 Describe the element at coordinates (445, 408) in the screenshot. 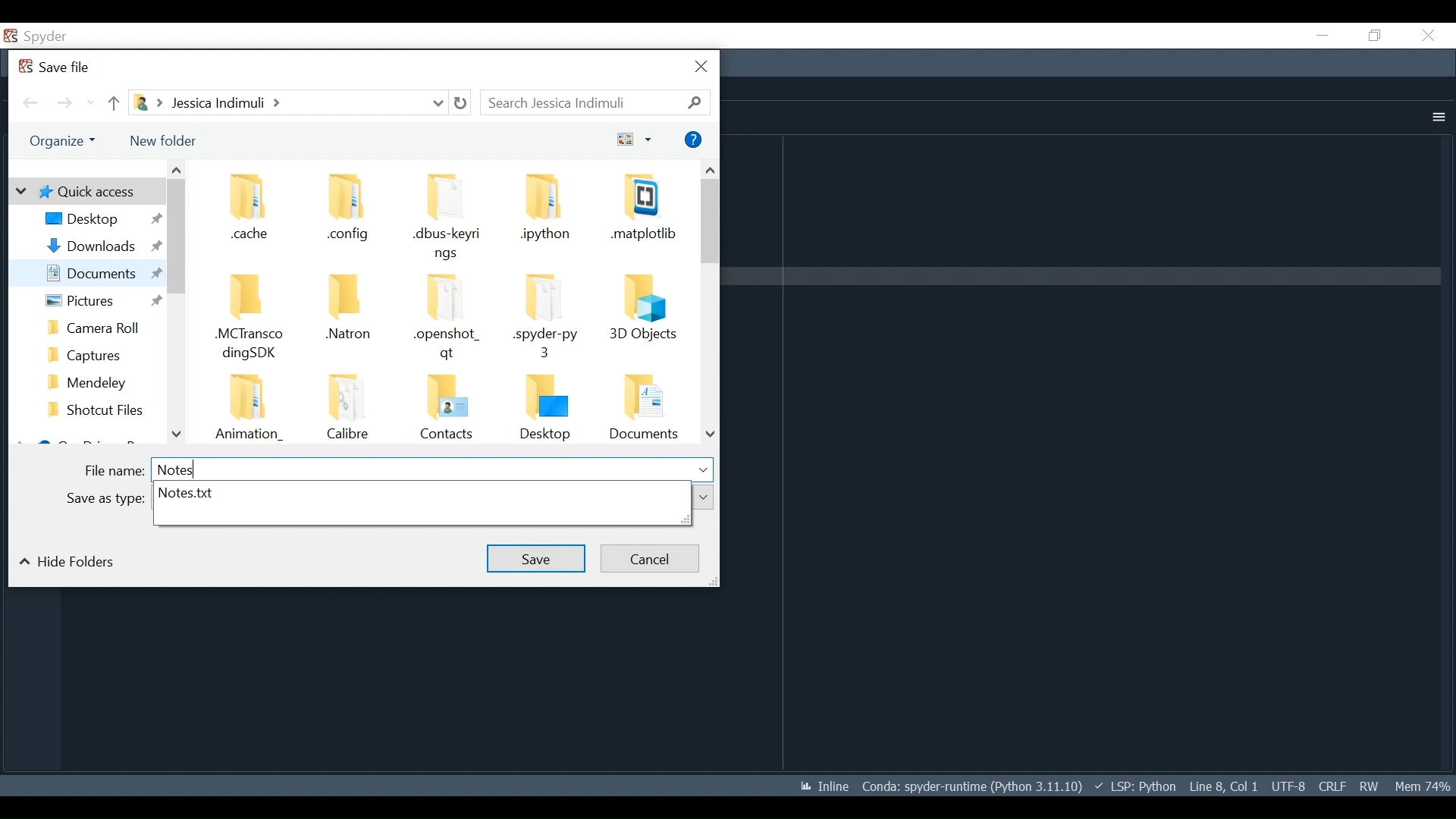

I see `Folder` at that location.